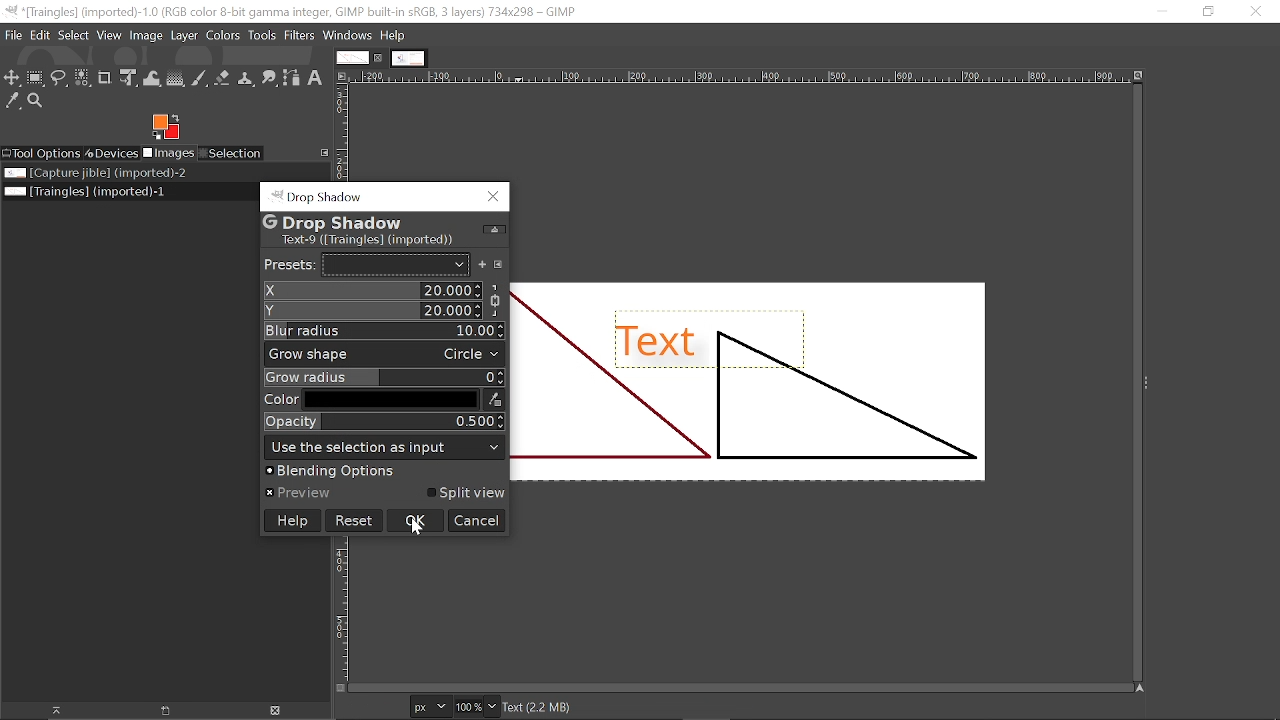 The image size is (1280, 720). Describe the element at coordinates (168, 153) in the screenshot. I see `Imges` at that location.